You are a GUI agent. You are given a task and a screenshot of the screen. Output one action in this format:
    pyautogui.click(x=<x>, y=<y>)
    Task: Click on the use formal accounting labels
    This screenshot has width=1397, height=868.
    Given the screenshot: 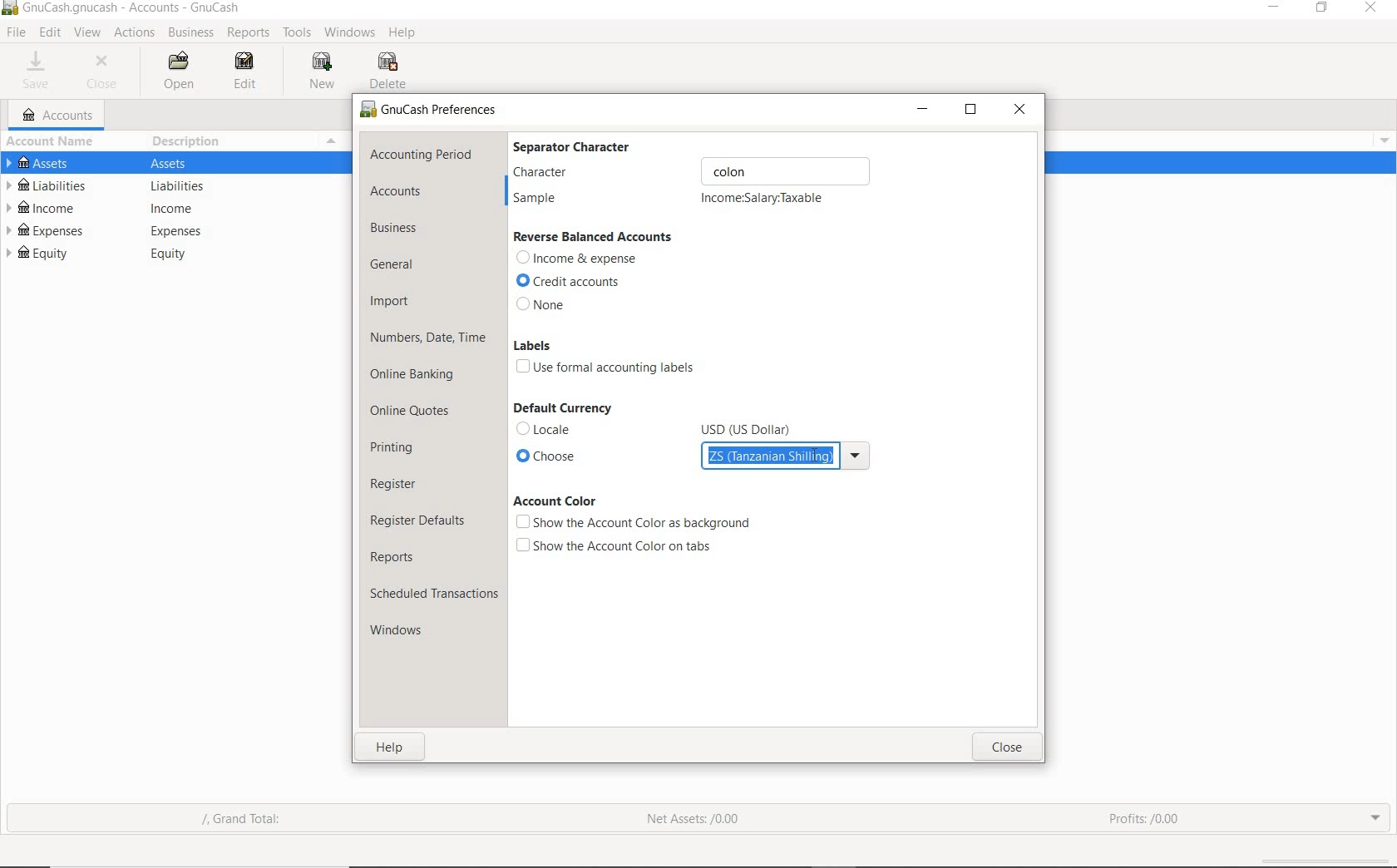 What is the action you would take?
    pyautogui.click(x=610, y=368)
    